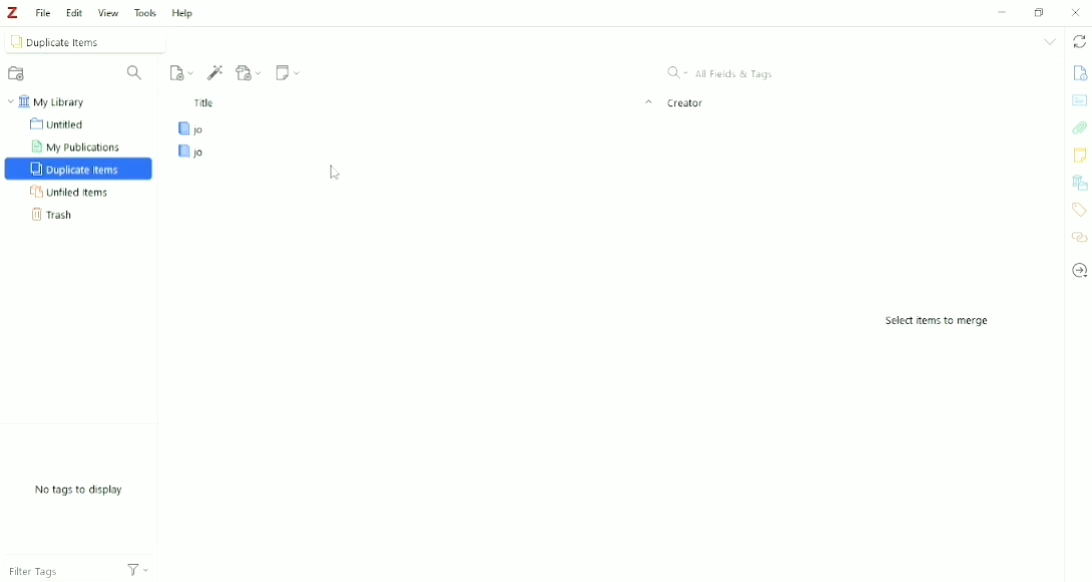  What do you see at coordinates (138, 73) in the screenshot?
I see `Filter Collections` at bounding box center [138, 73].